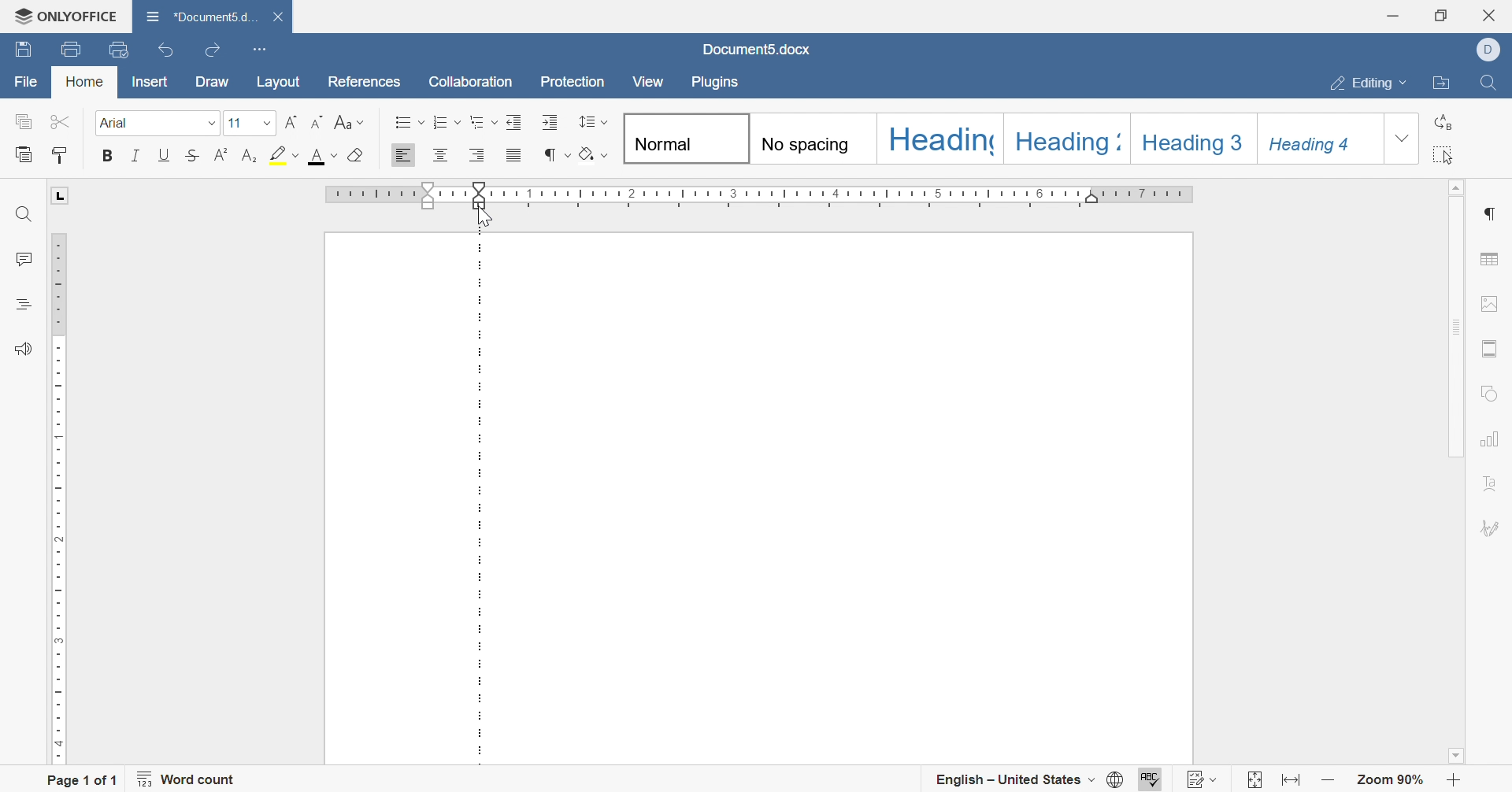 This screenshot has height=792, width=1512. What do you see at coordinates (402, 156) in the screenshot?
I see `Align Left` at bounding box center [402, 156].